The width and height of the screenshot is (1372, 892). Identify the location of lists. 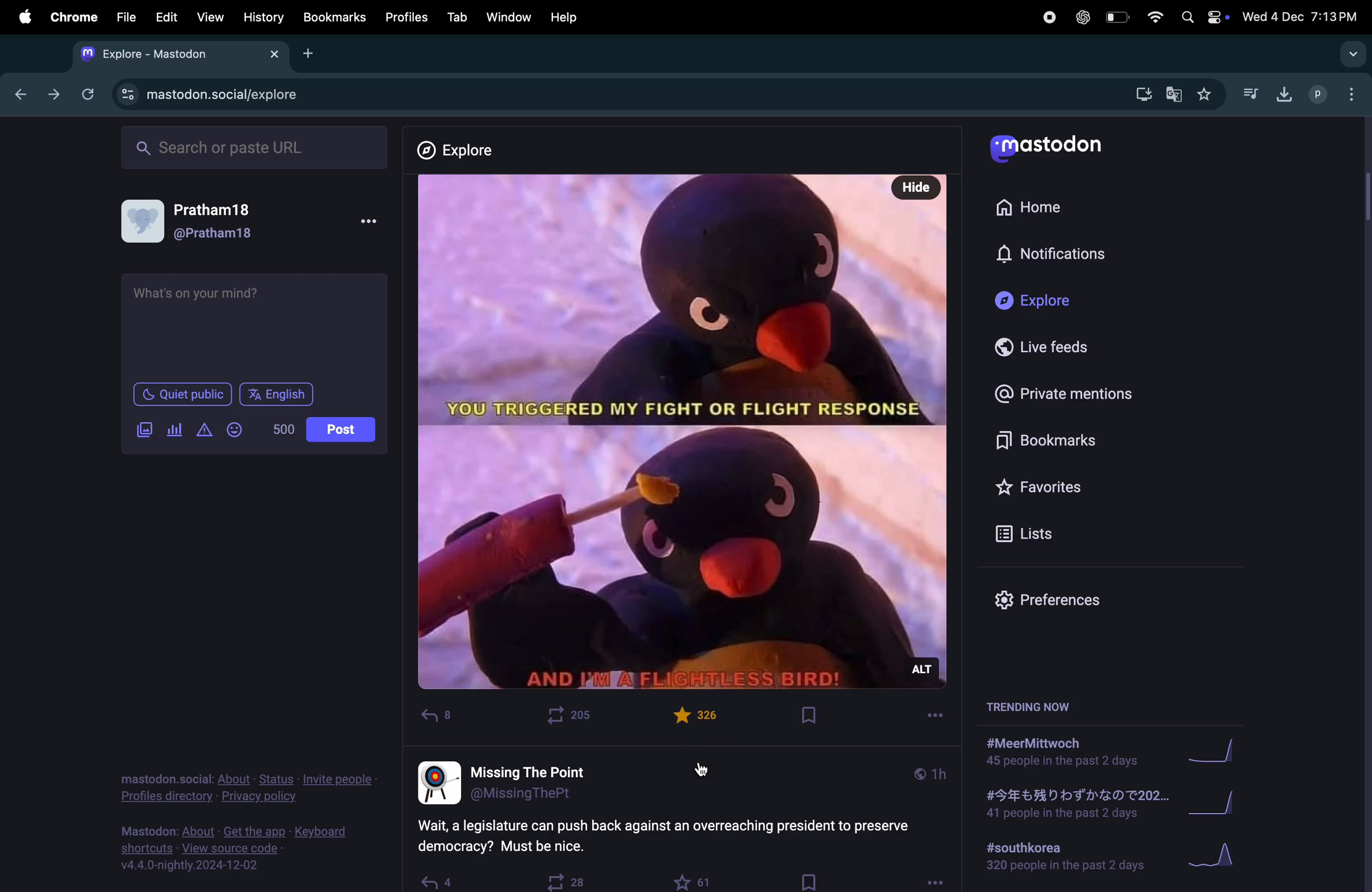
(1032, 534).